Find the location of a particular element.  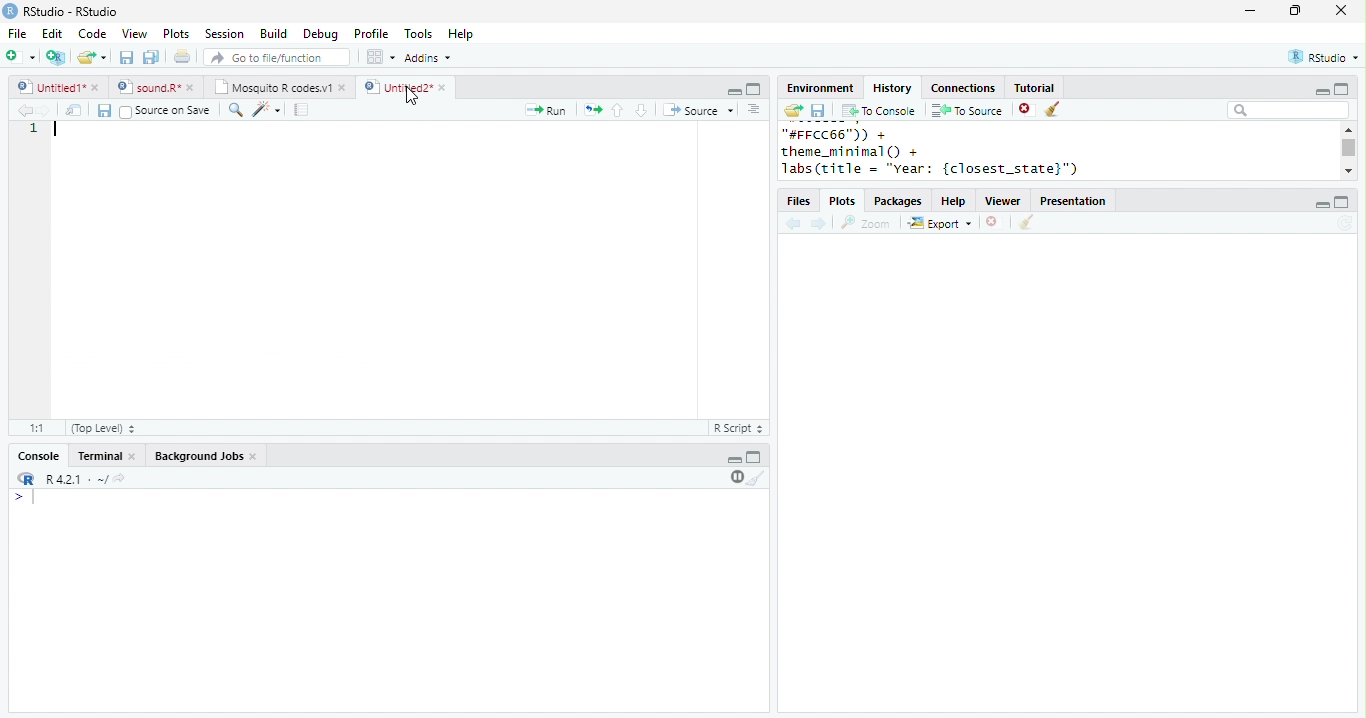

Untitled 2 is located at coordinates (397, 86).